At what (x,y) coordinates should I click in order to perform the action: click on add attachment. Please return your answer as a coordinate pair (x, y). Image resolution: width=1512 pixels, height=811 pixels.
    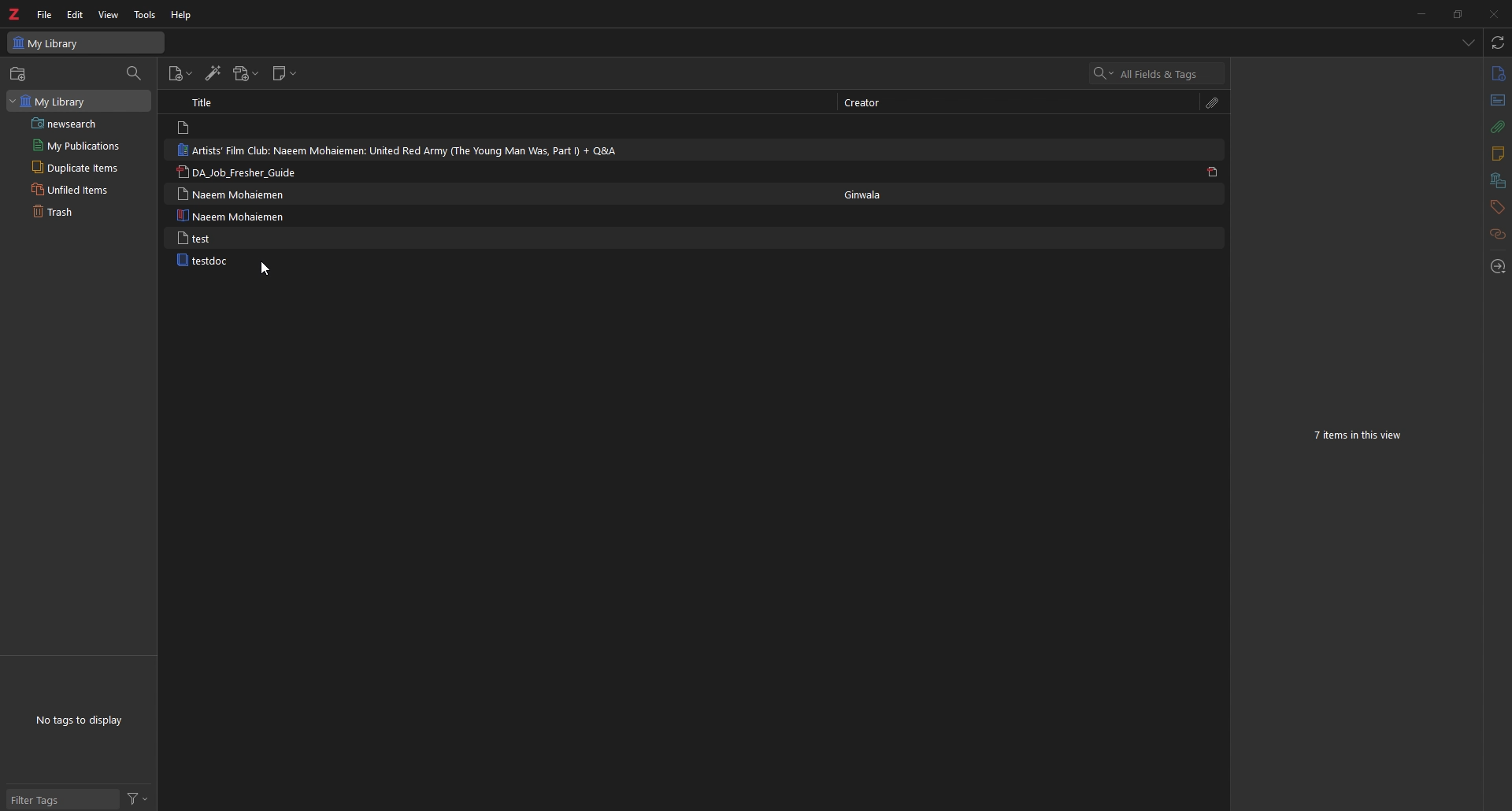
    Looking at the image, I should click on (246, 73).